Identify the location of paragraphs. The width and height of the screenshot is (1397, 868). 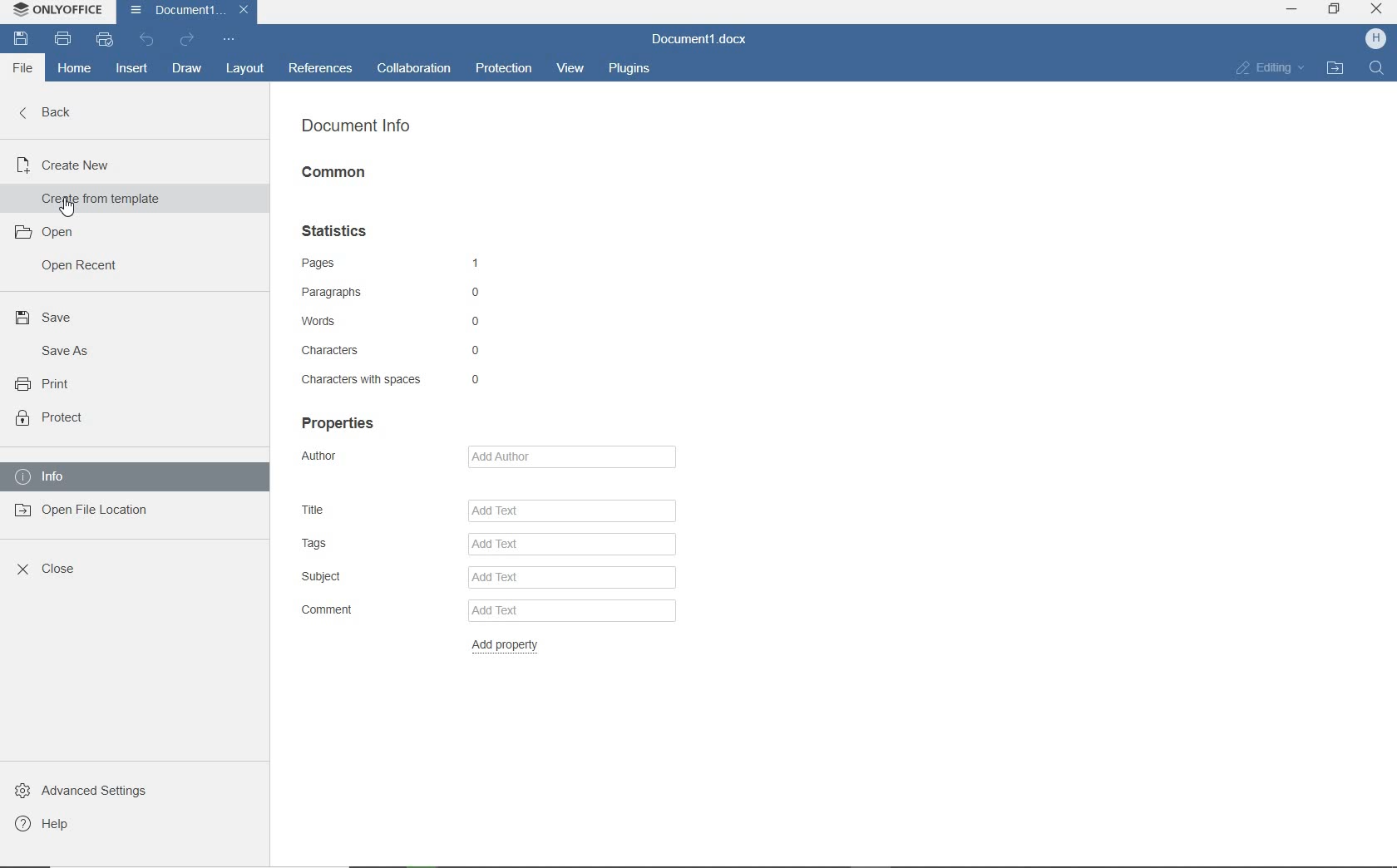
(399, 293).